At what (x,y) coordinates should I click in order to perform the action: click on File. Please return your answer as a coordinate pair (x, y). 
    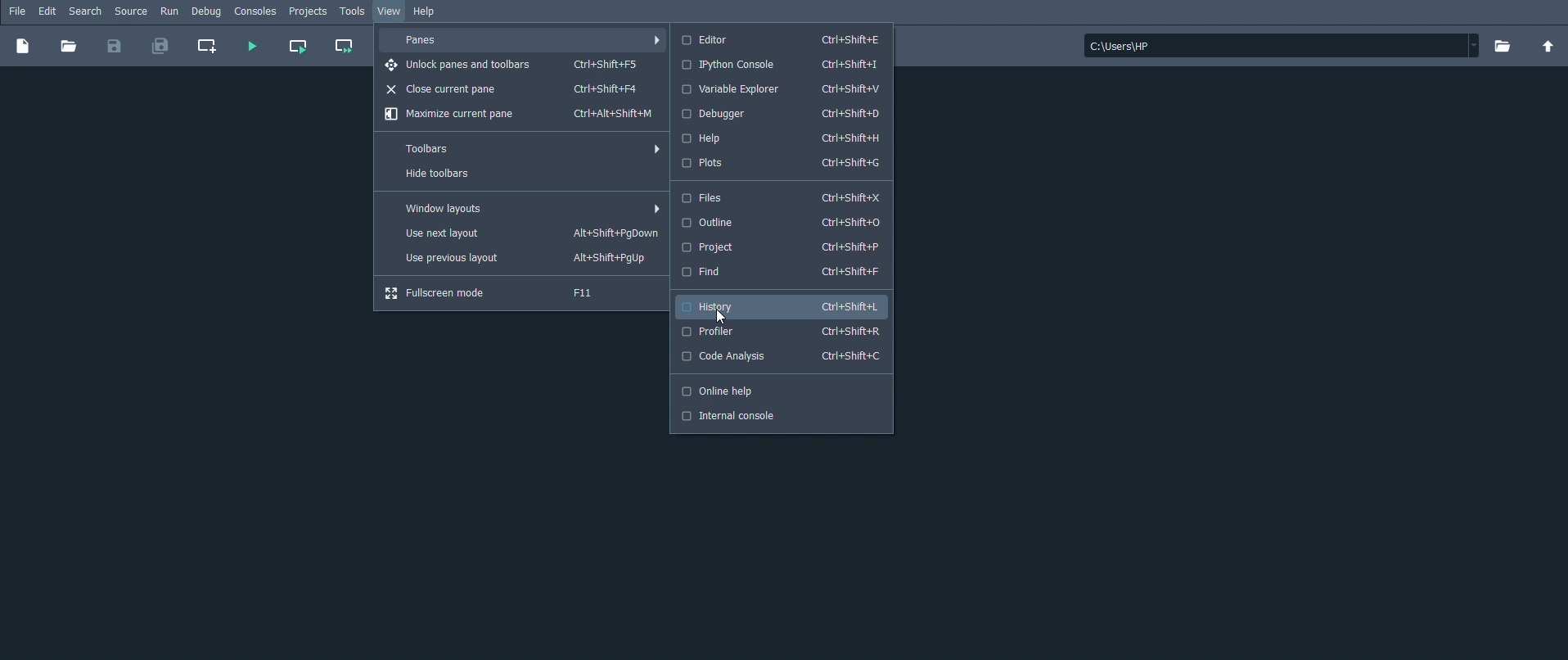
    Looking at the image, I should click on (17, 12).